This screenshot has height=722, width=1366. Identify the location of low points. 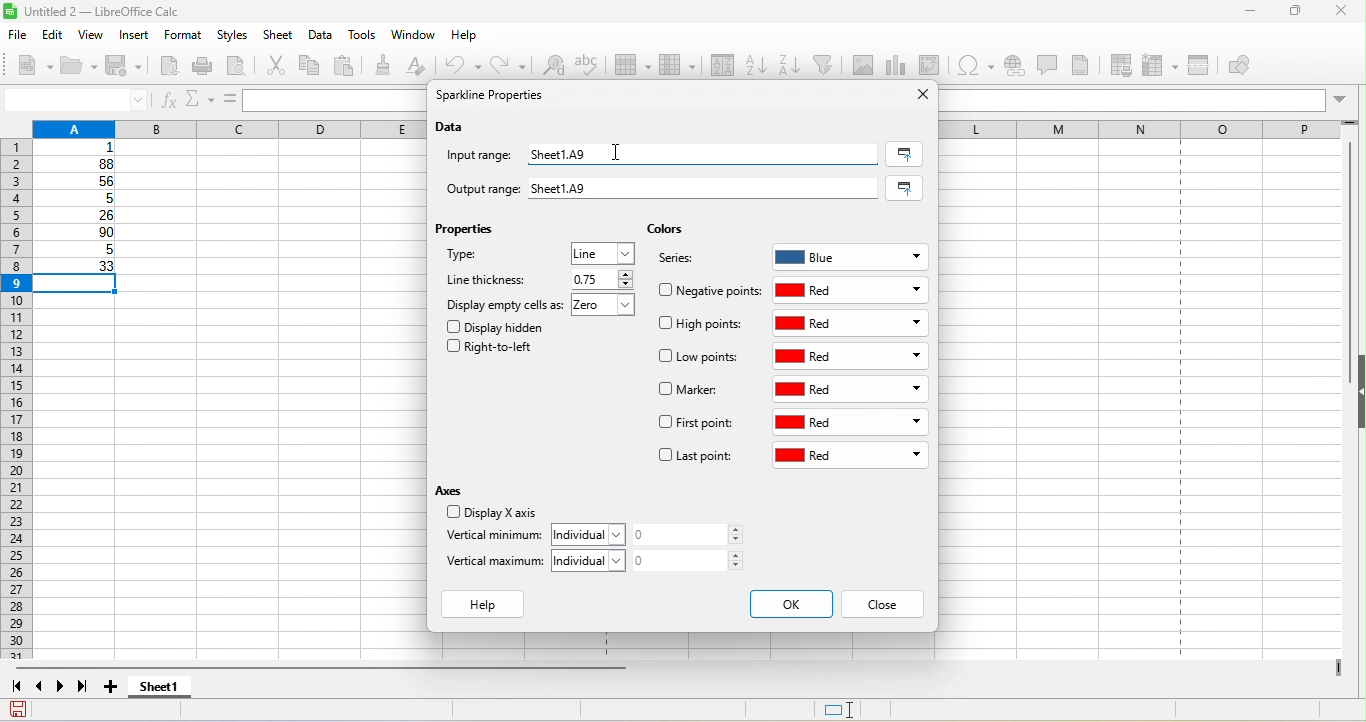
(702, 358).